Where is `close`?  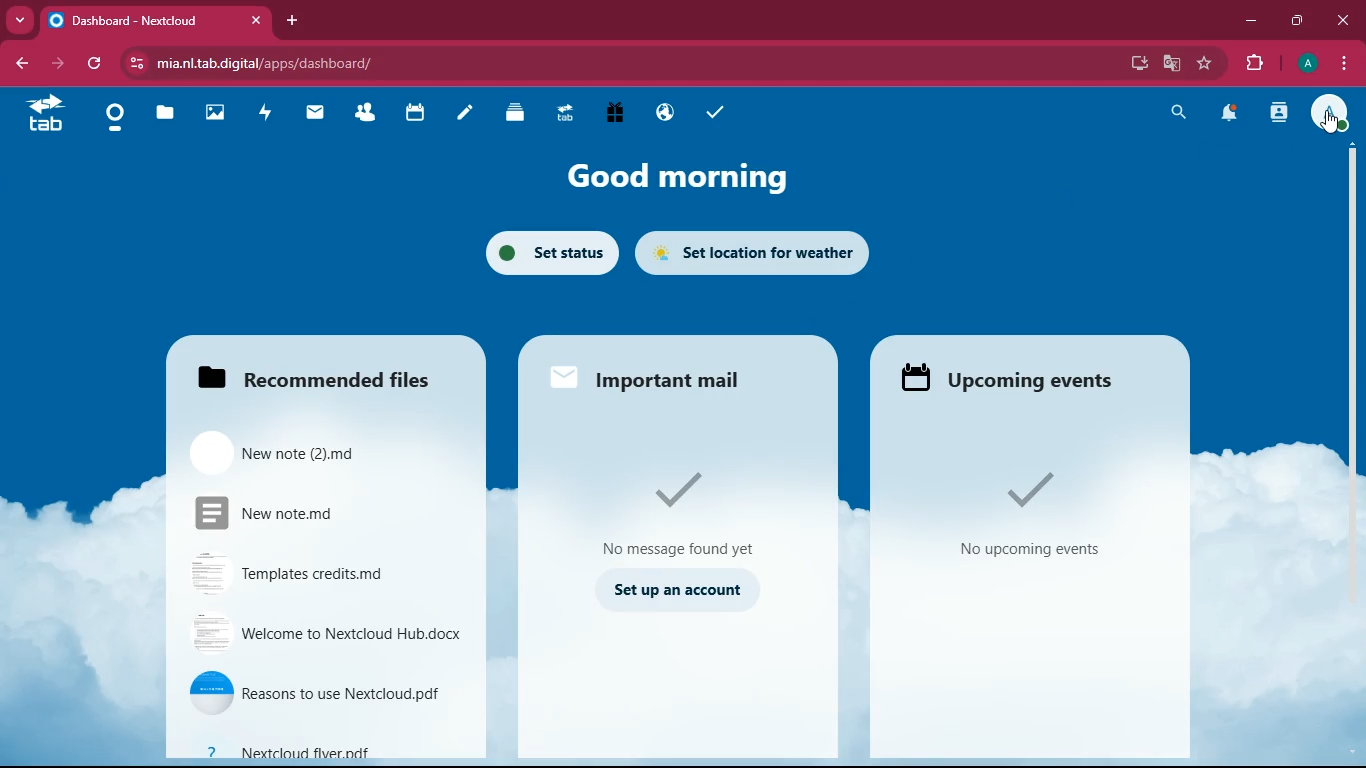
close is located at coordinates (1344, 21).